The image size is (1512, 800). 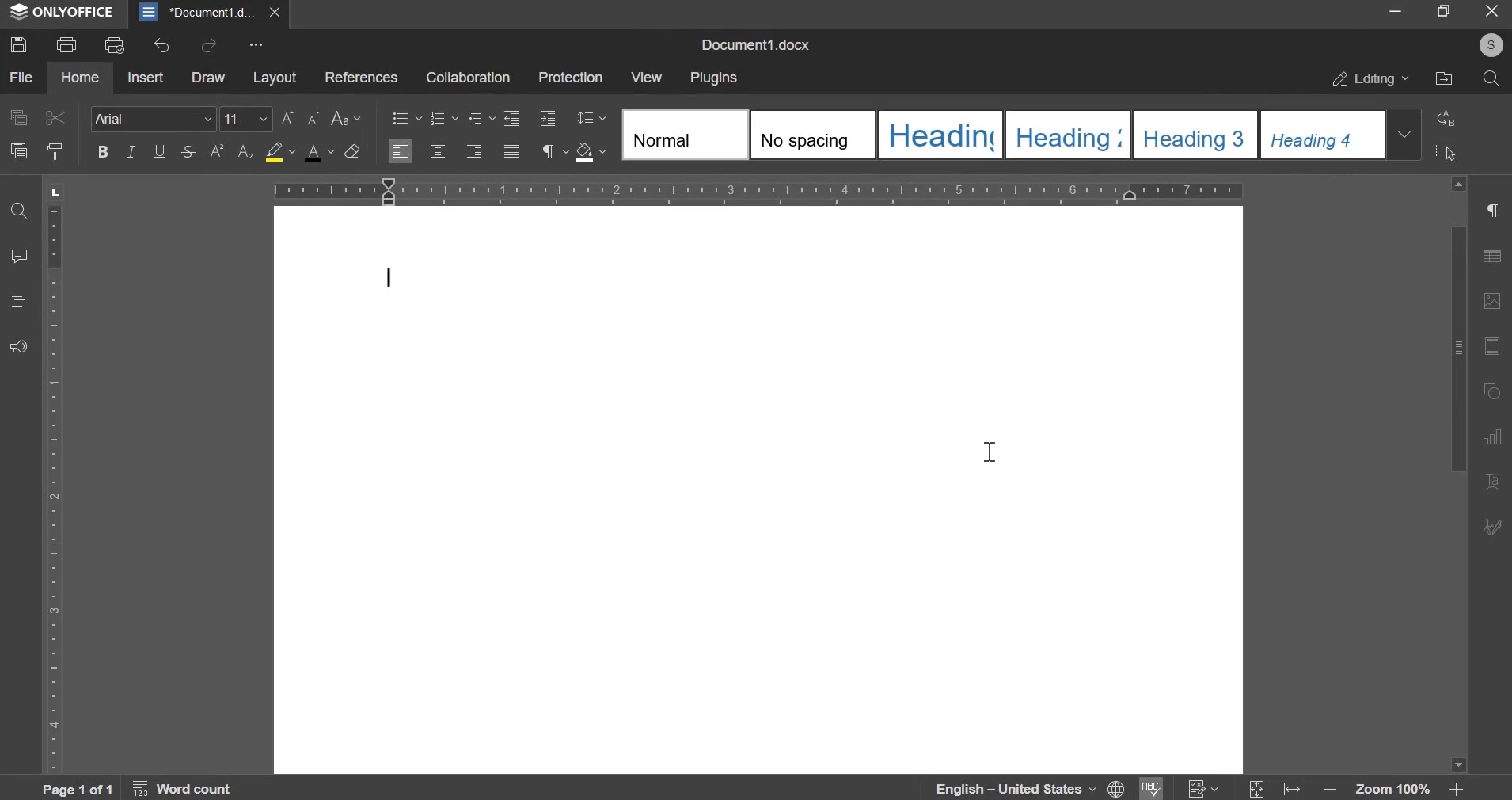 What do you see at coordinates (481, 120) in the screenshot?
I see `multilevel listing` at bounding box center [481, 120].